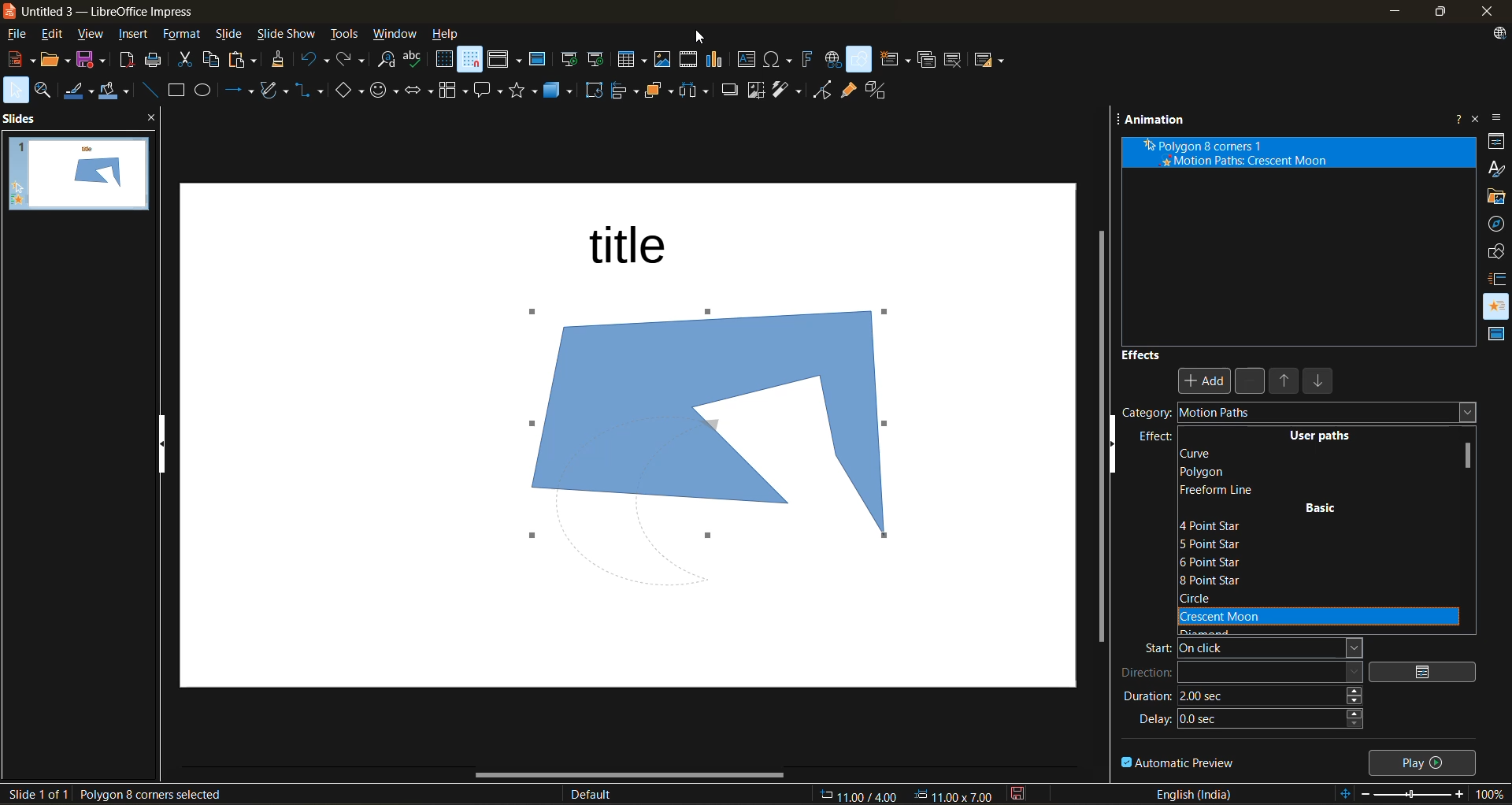  What do you see at coordinates (790, 91) in the screenshot?
I see `filter` at bounding box center [790, 91].